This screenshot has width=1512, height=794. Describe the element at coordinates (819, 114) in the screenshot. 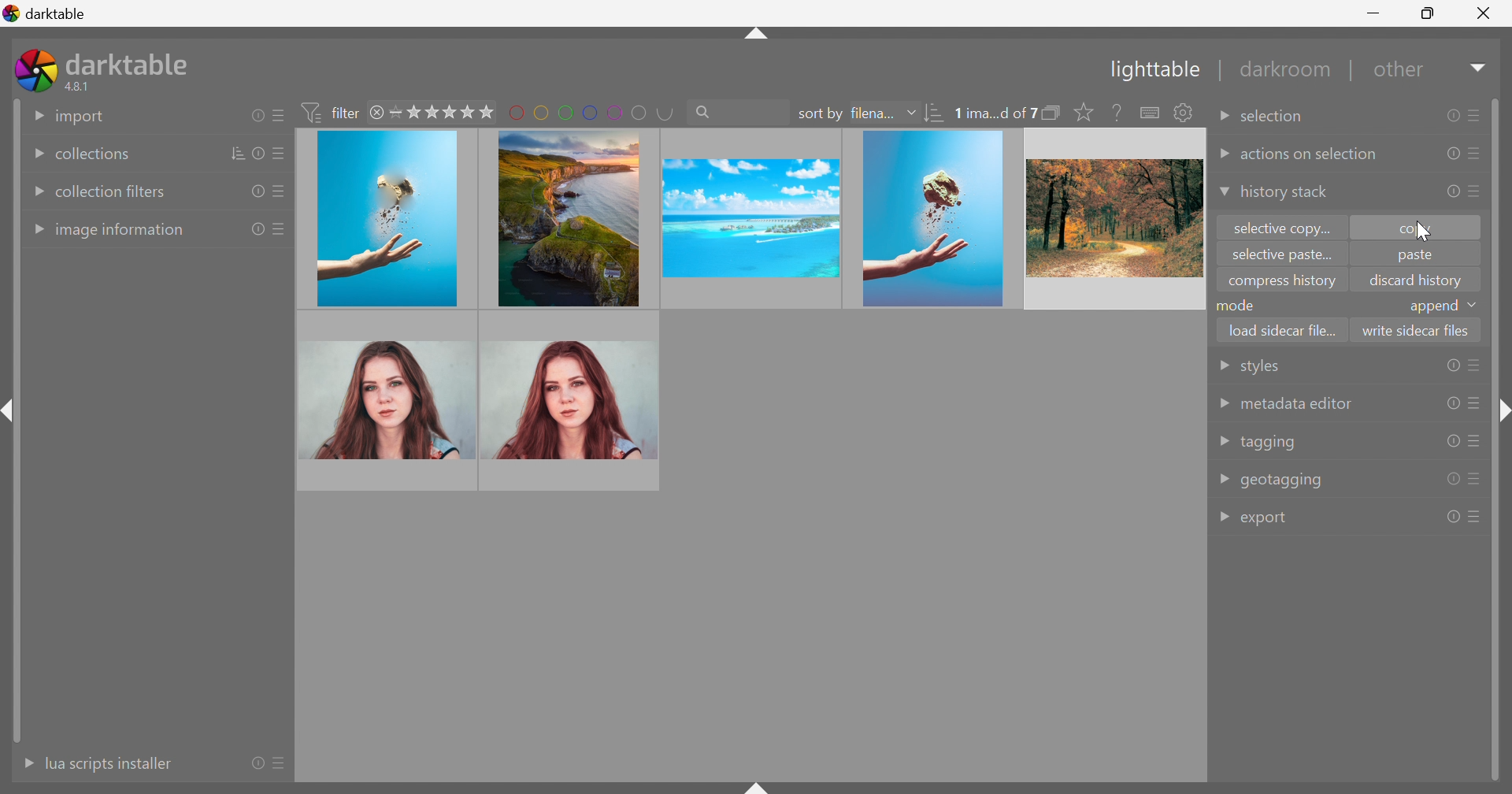

I see `sort by` at that location.